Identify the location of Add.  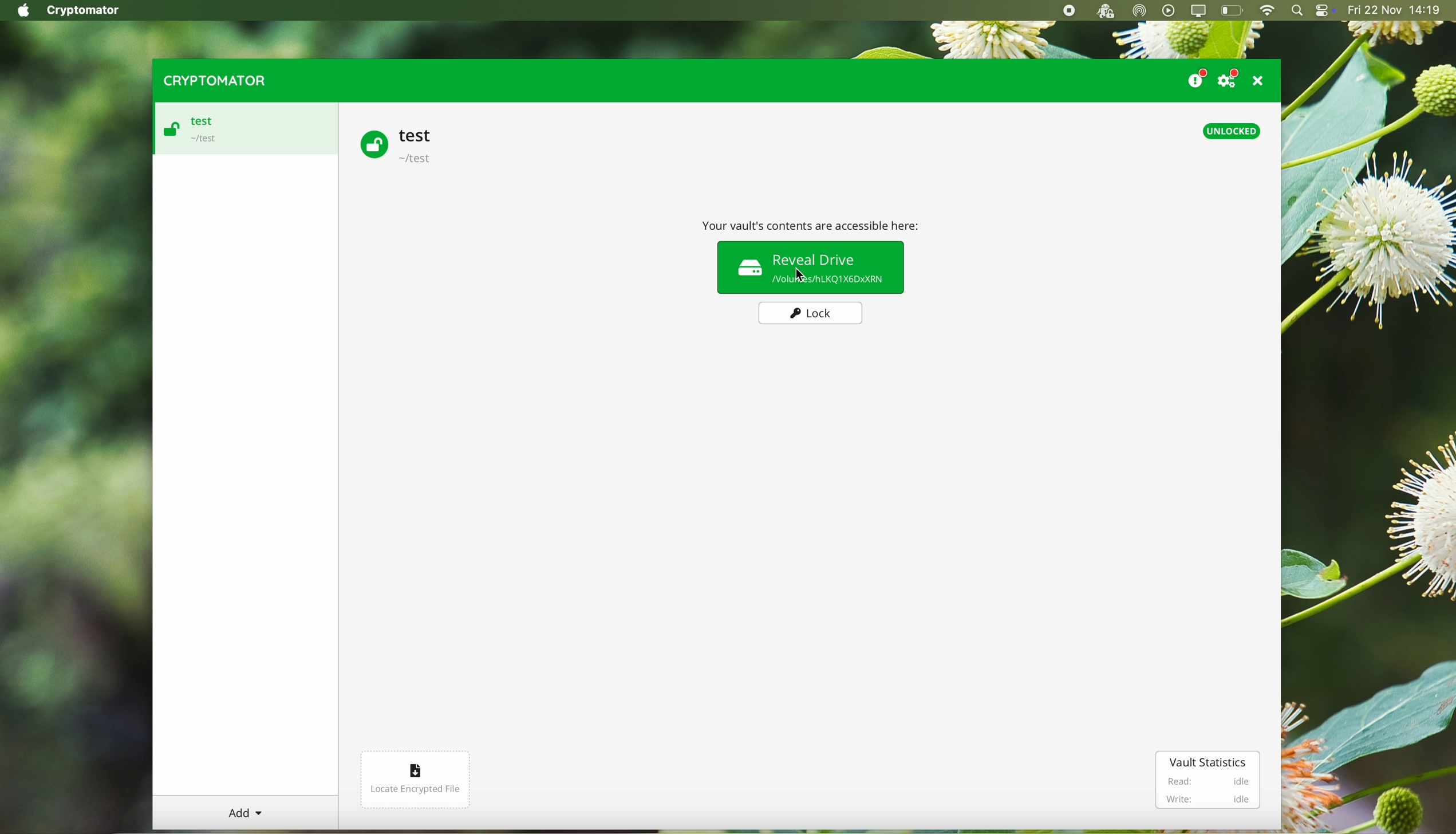
(246, 811).